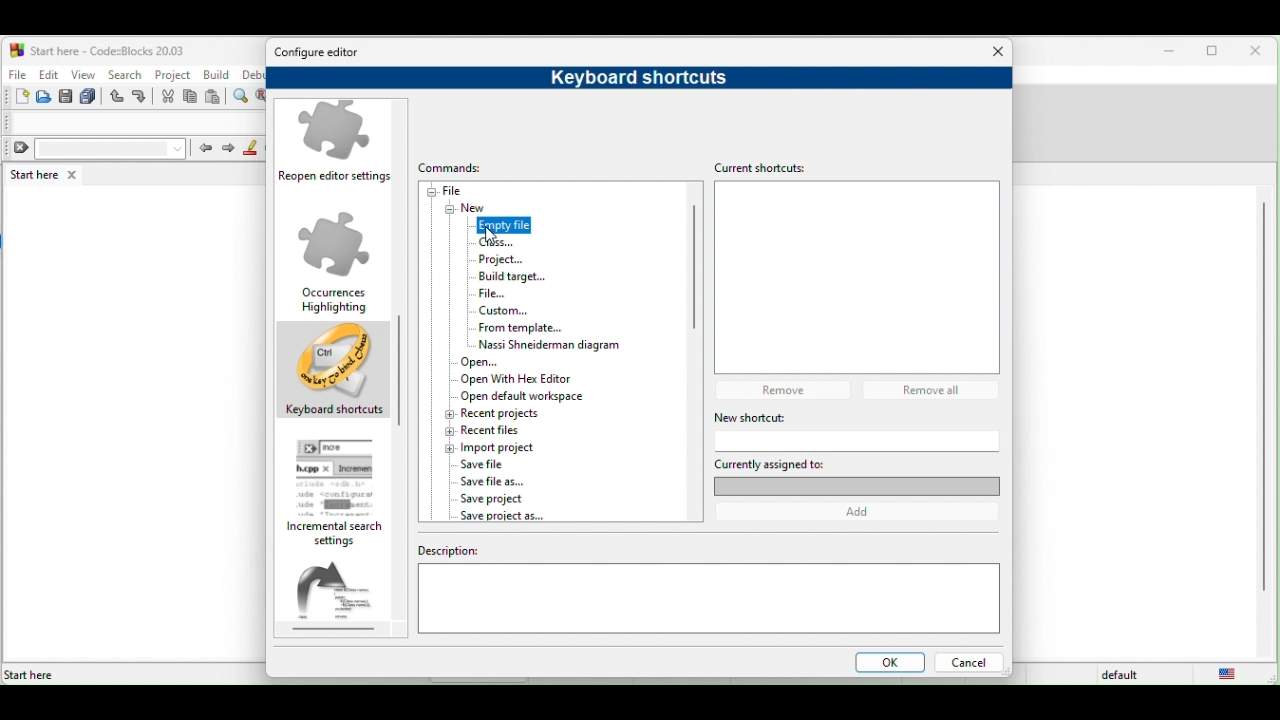 The height and width of the screenshot is (720, 1280). Describe the element at coordinates (886, 664) in the screenshot. I see `ok` at that location.